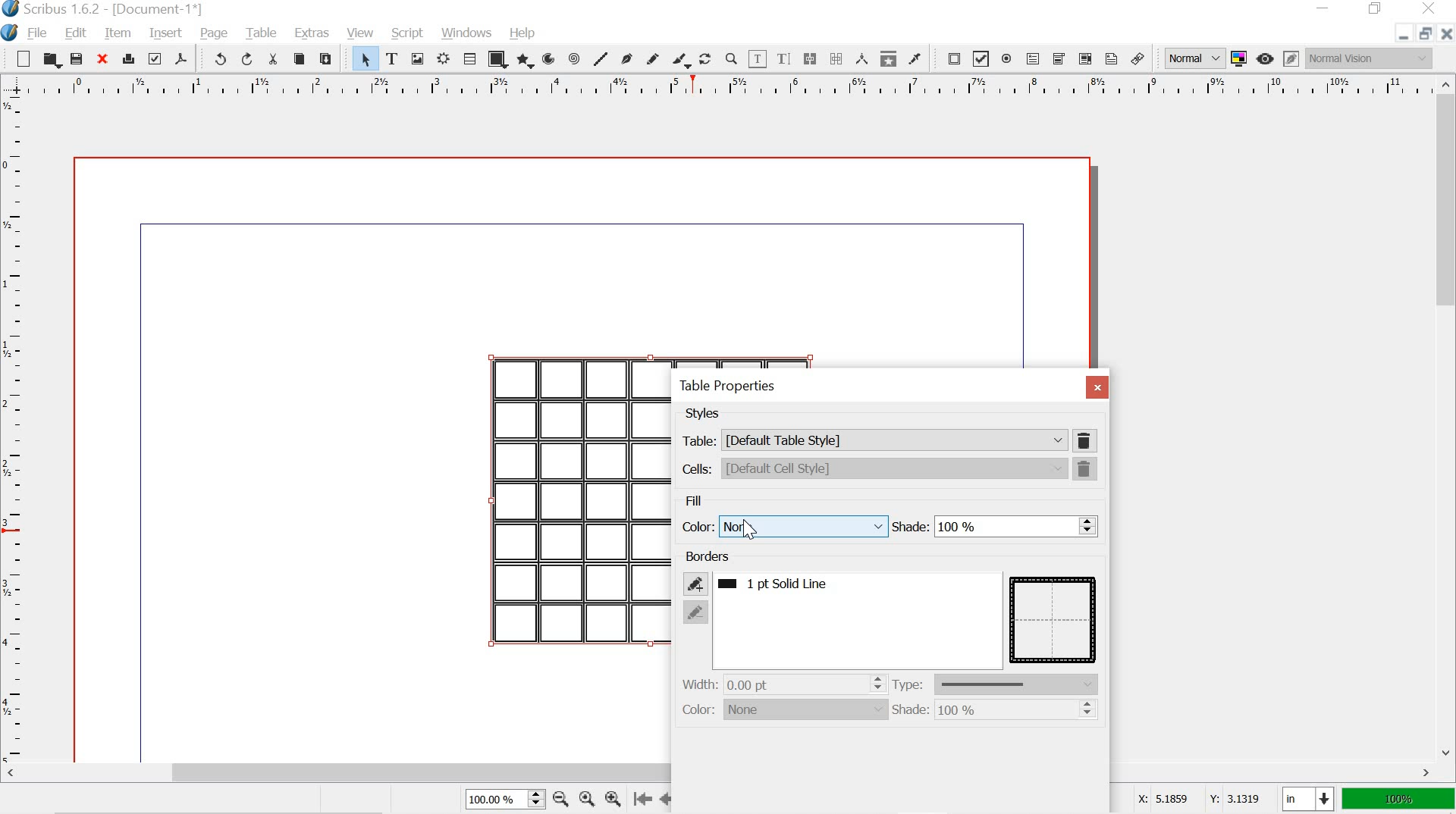 This screenshot has height=814, width=1456. Describe the element at coordinates (488, 801) in the screenshot. I see `100.00%` at that location.